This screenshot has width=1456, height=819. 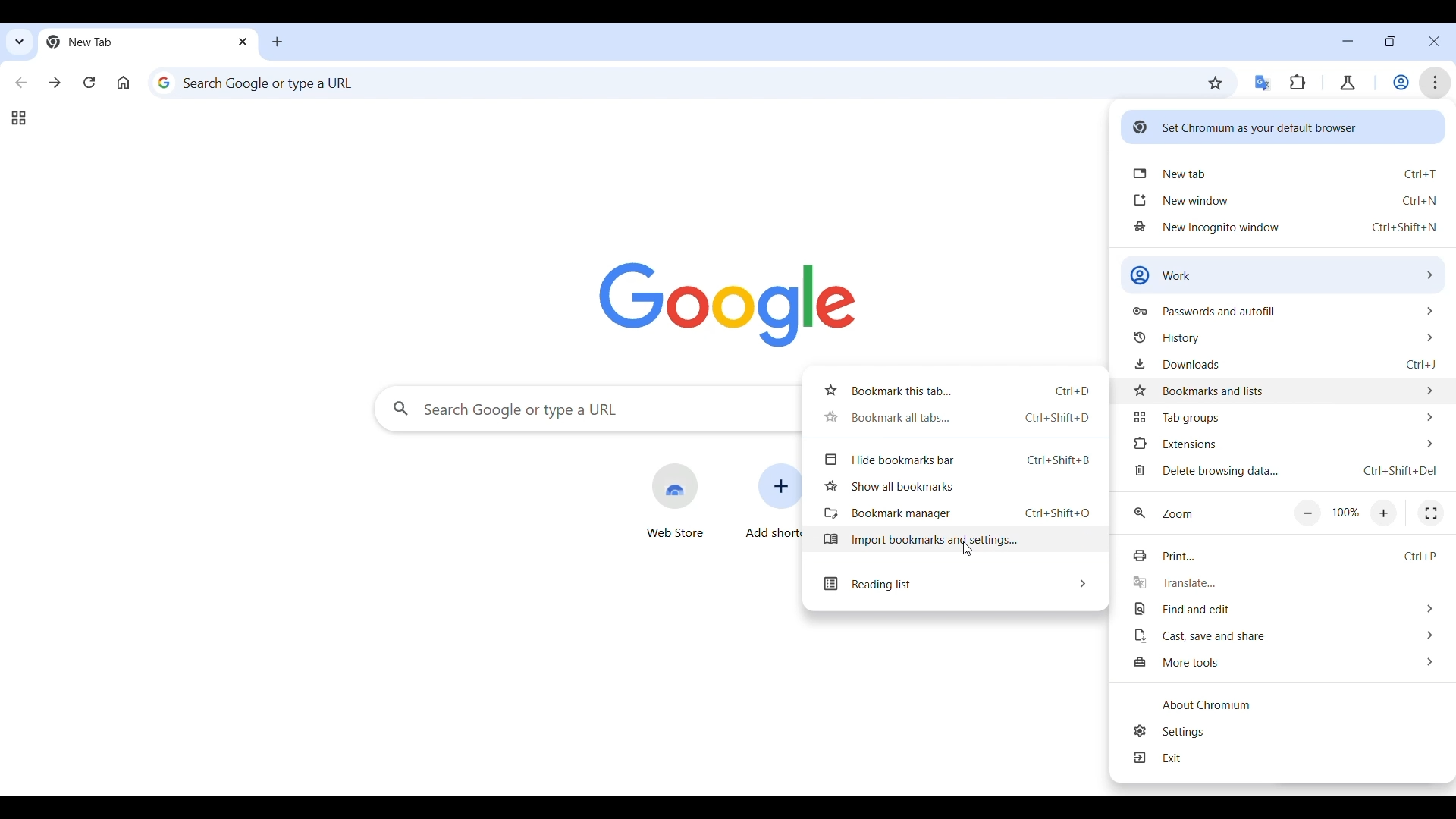 What do you see at coordinates (955, 585) in the screenshot?
I see `Reading list ` at bounding box center [955, 585].